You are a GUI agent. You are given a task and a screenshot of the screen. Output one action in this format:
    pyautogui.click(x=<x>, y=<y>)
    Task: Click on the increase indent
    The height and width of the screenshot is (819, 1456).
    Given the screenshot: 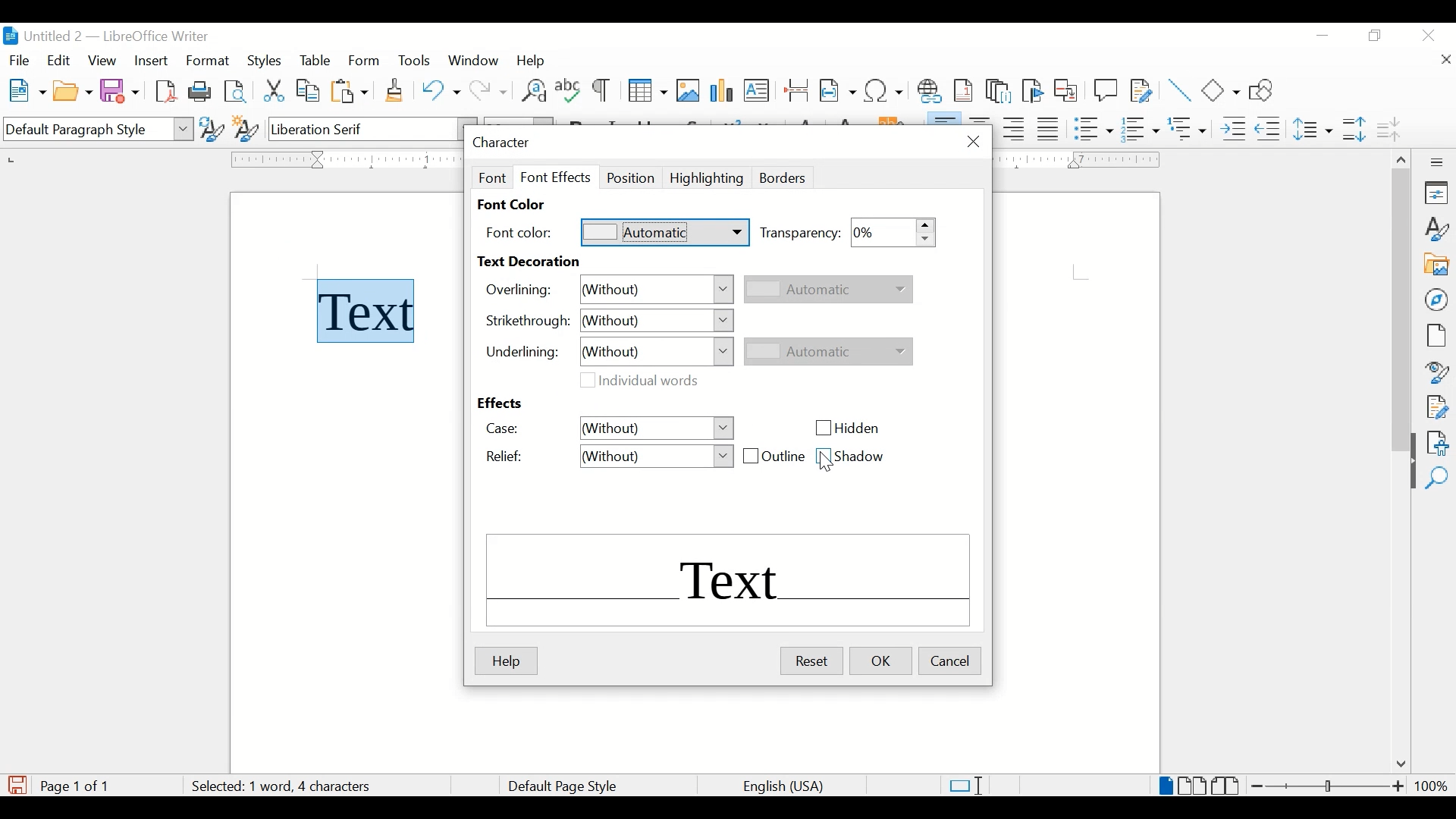 What is the action you would take?
    pyautogui.click(x=1233, y=129)
    